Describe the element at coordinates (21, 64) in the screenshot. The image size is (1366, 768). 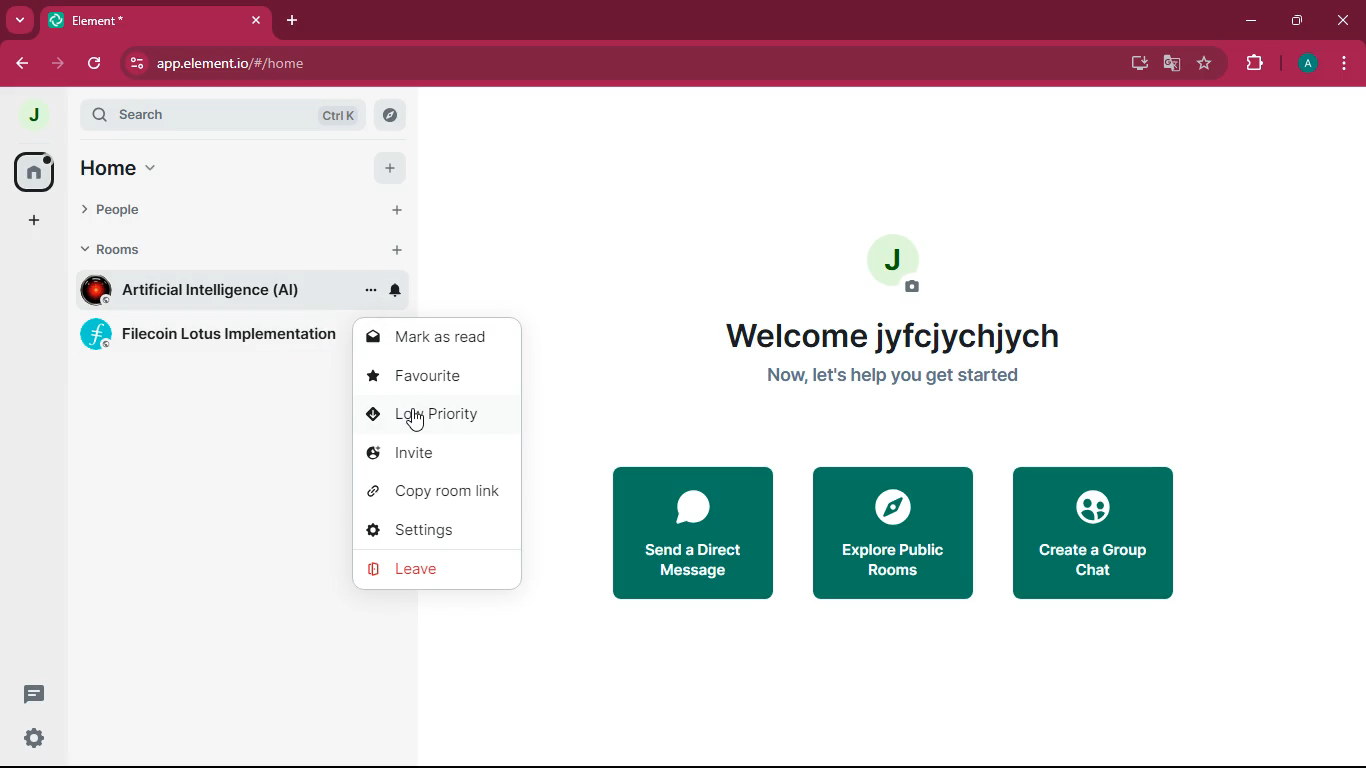
I see `back` at that location.